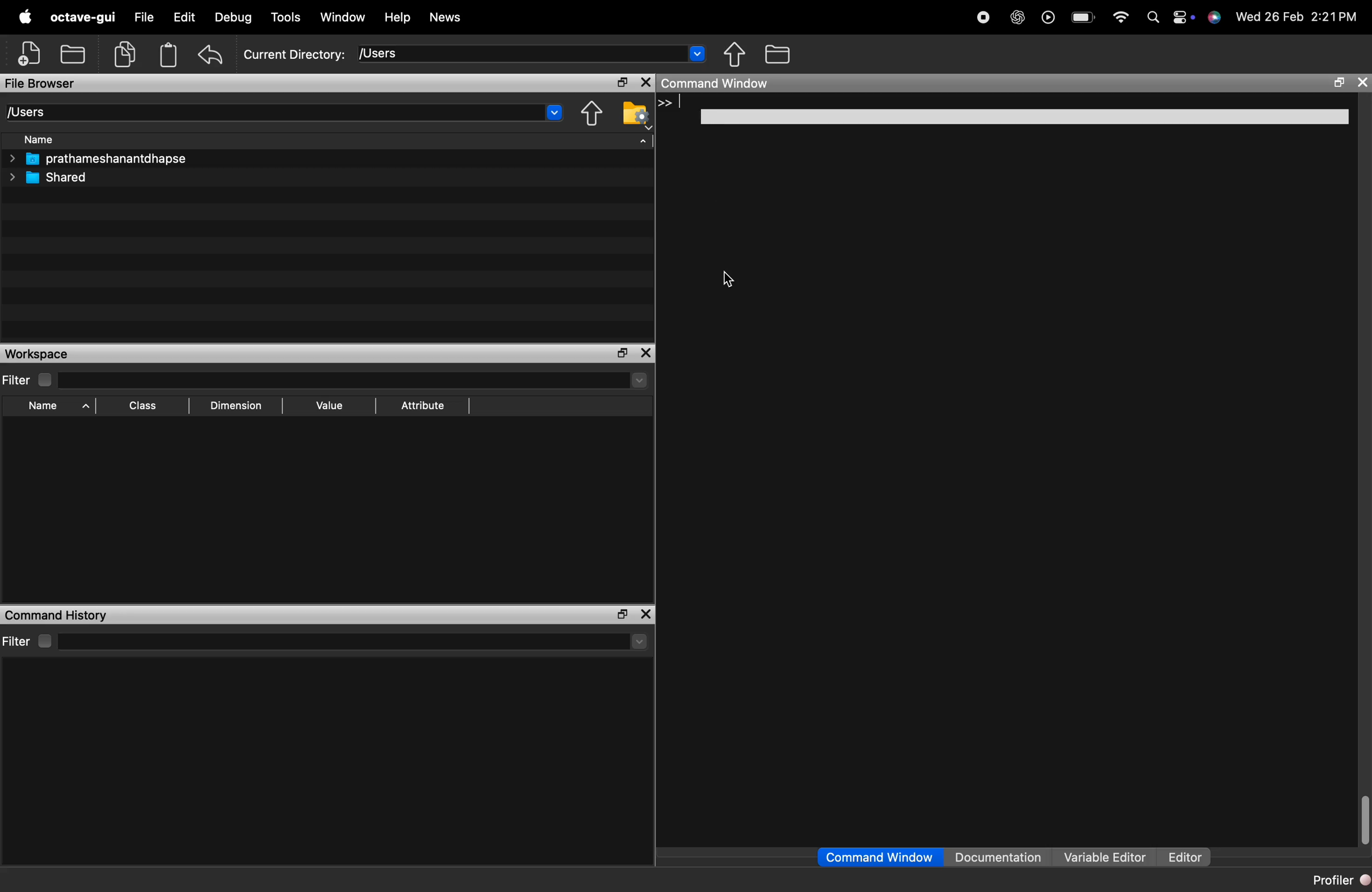  I want to click on empty workspace, so click(315, 507).